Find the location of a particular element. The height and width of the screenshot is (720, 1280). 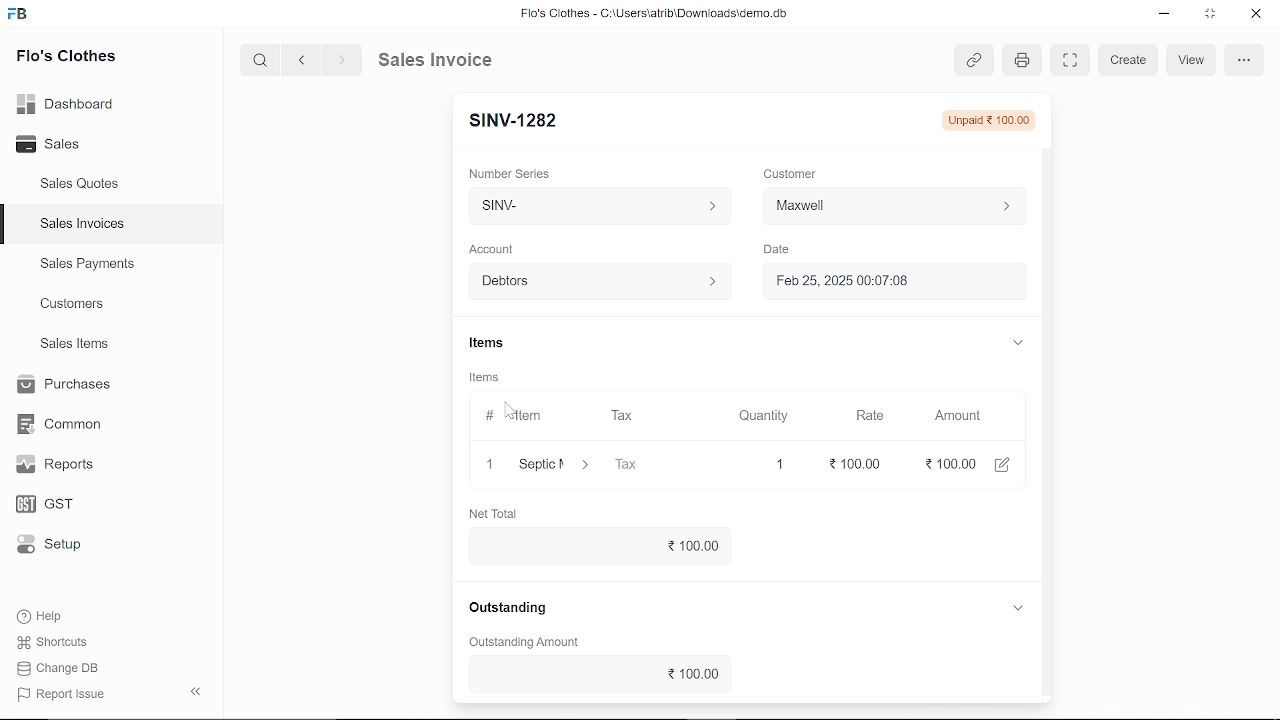

New Entry is located at coordinates (515, 122).